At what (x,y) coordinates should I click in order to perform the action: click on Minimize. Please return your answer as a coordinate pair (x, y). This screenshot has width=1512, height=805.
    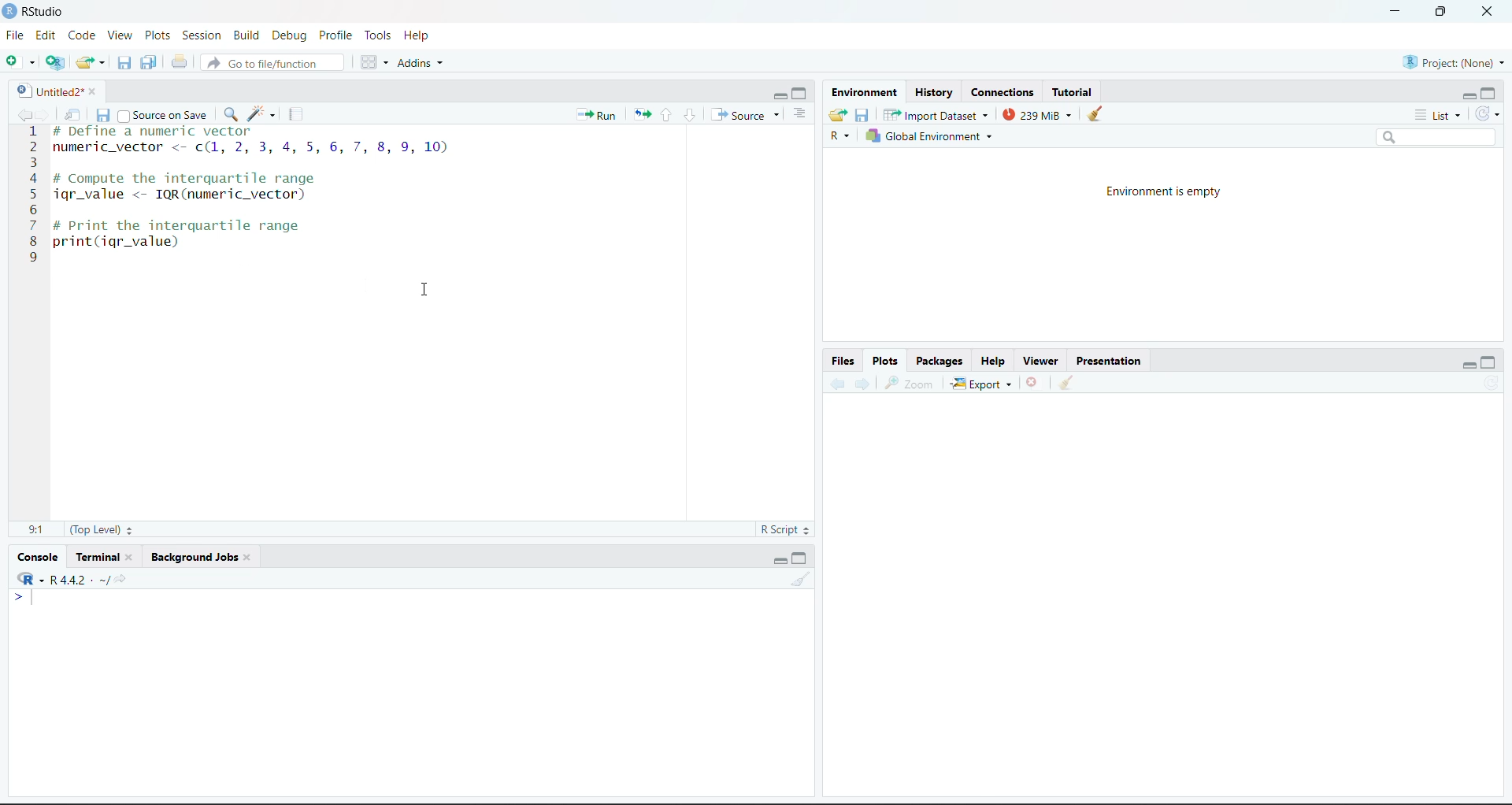
    Looking at the image, I should click on (1467, 95).